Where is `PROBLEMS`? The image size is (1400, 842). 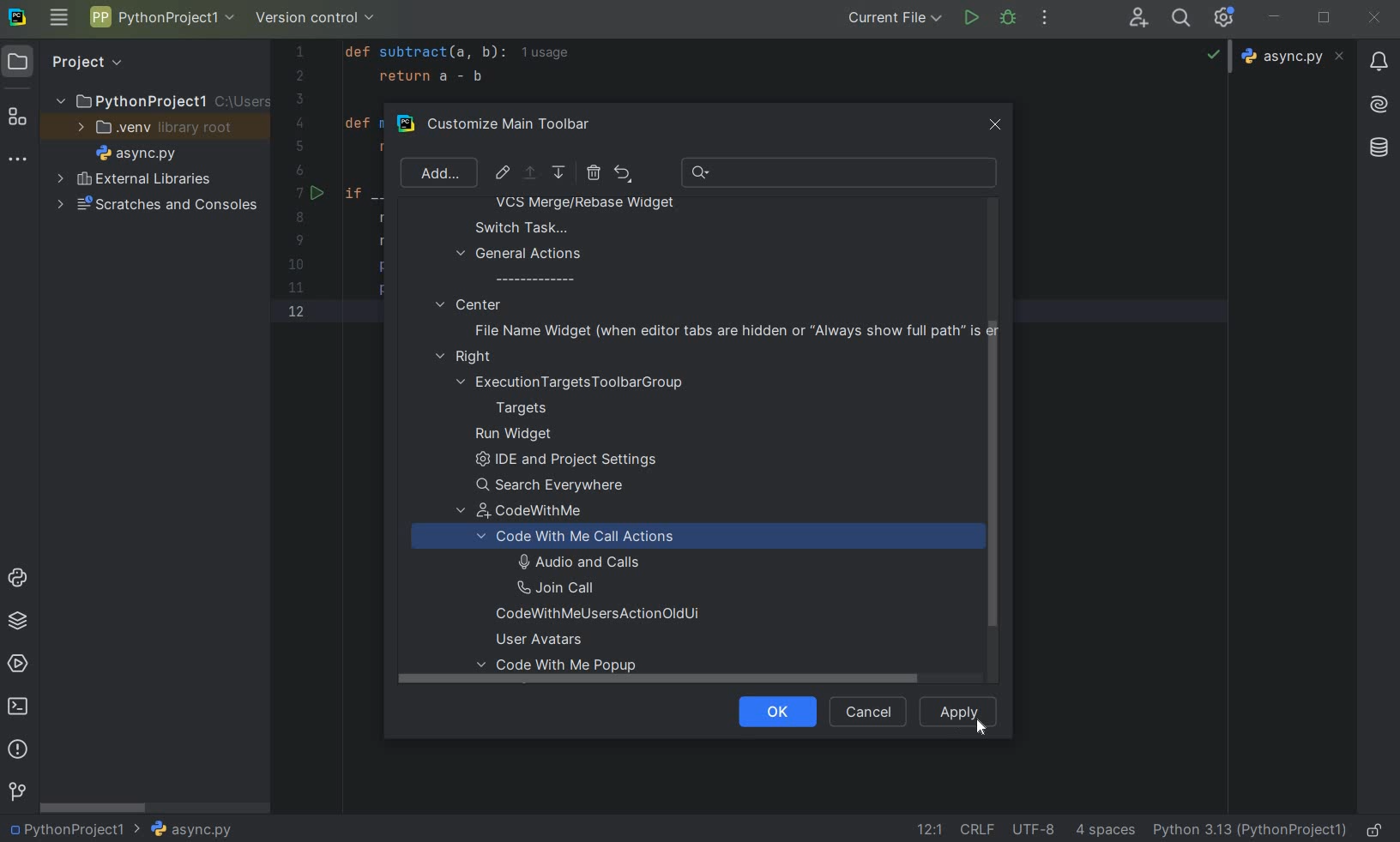
PROBLEMS is located at coordinates (20, 751).